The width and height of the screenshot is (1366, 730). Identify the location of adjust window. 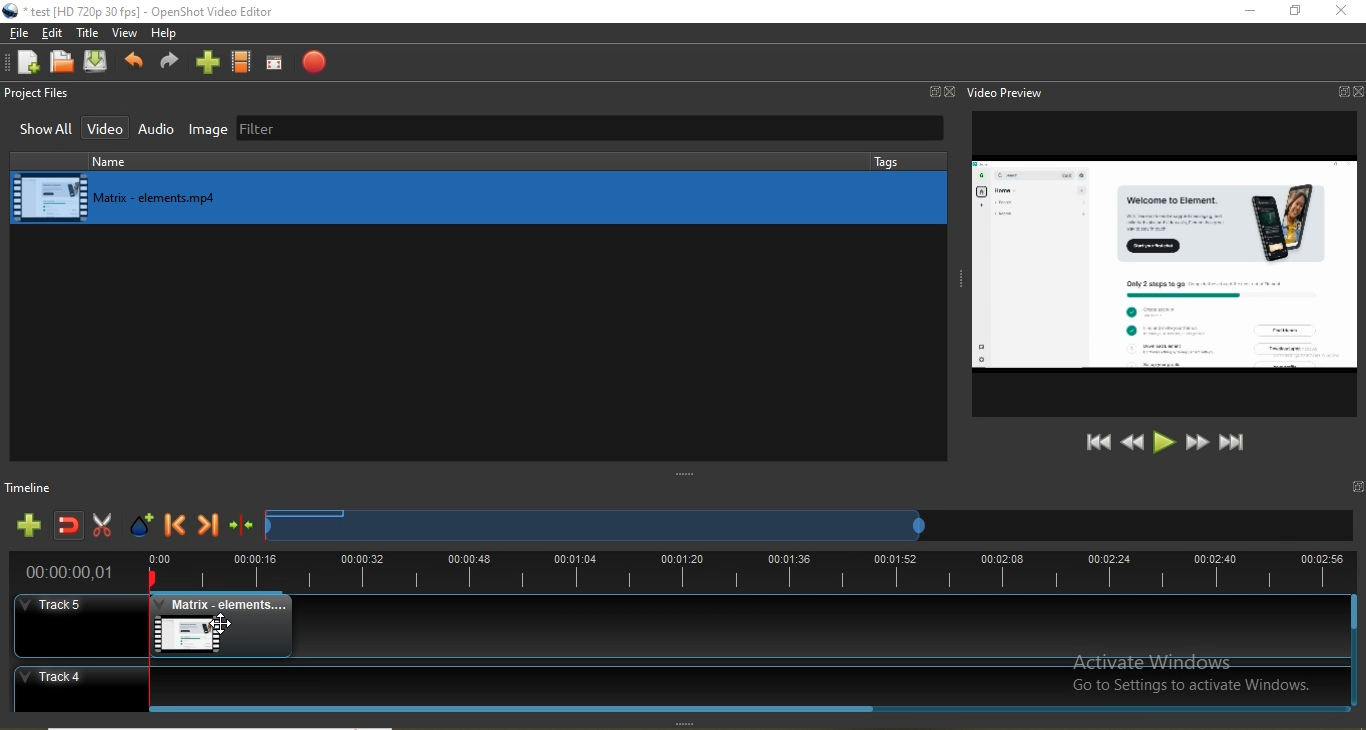
(682, 474).